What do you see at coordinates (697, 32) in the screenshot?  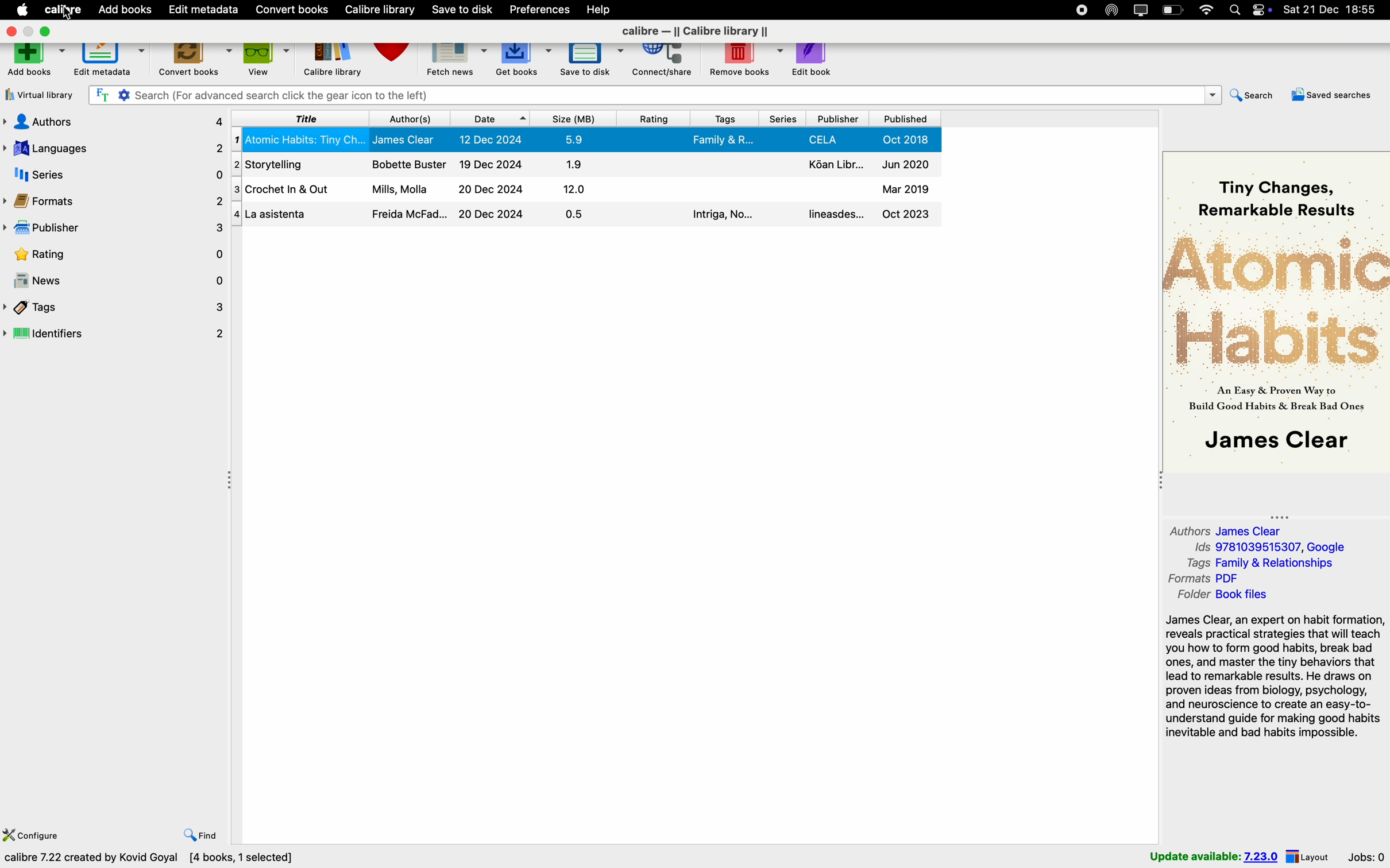 I see `Calibre - || Calibre library ||` at bounding box center [697, 32].